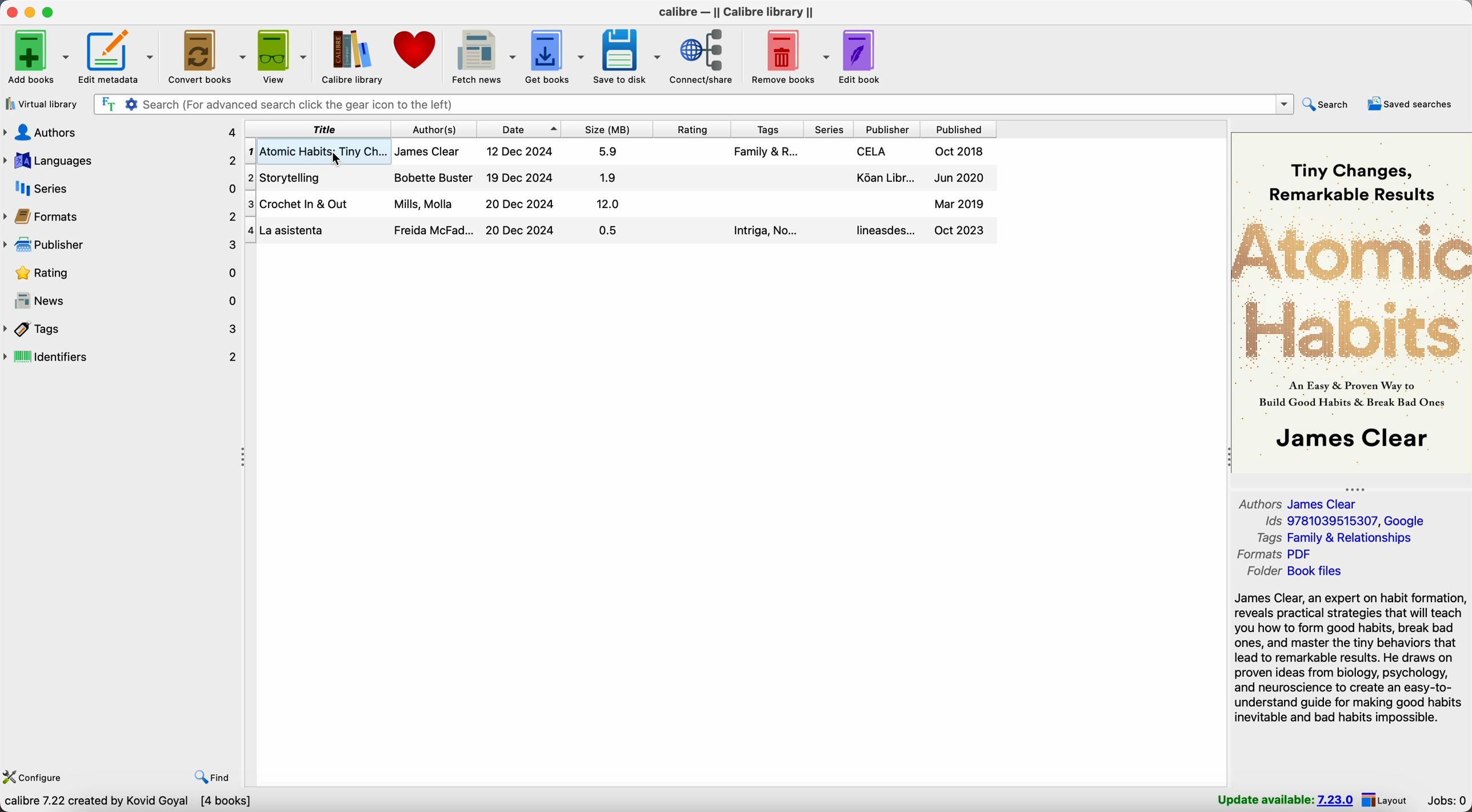  Describe the element at coordinates (122, 358) in the screenshot. I see `identifiers` at that location.